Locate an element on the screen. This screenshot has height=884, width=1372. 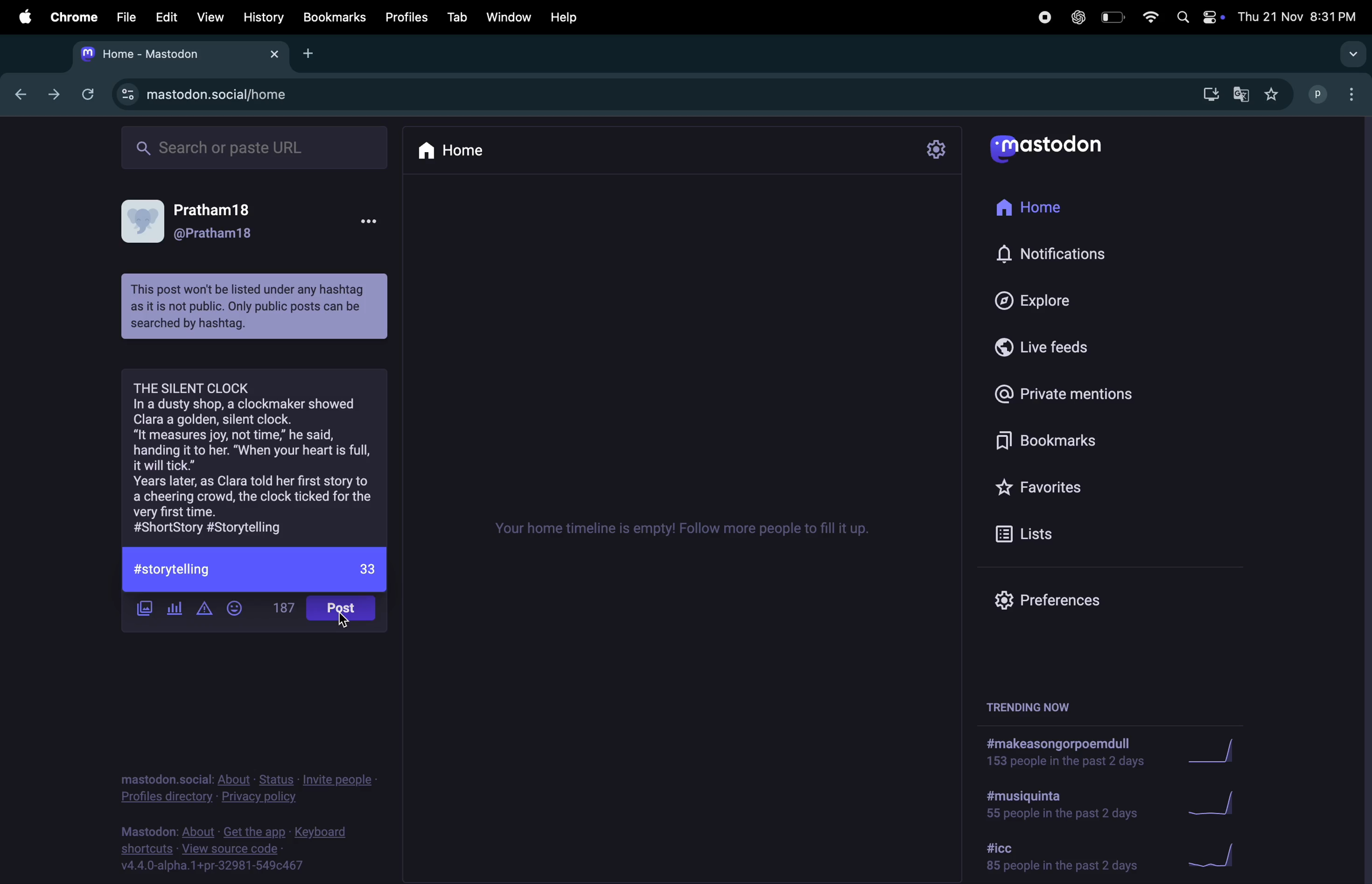
tab is located at coordinates (457, 17).